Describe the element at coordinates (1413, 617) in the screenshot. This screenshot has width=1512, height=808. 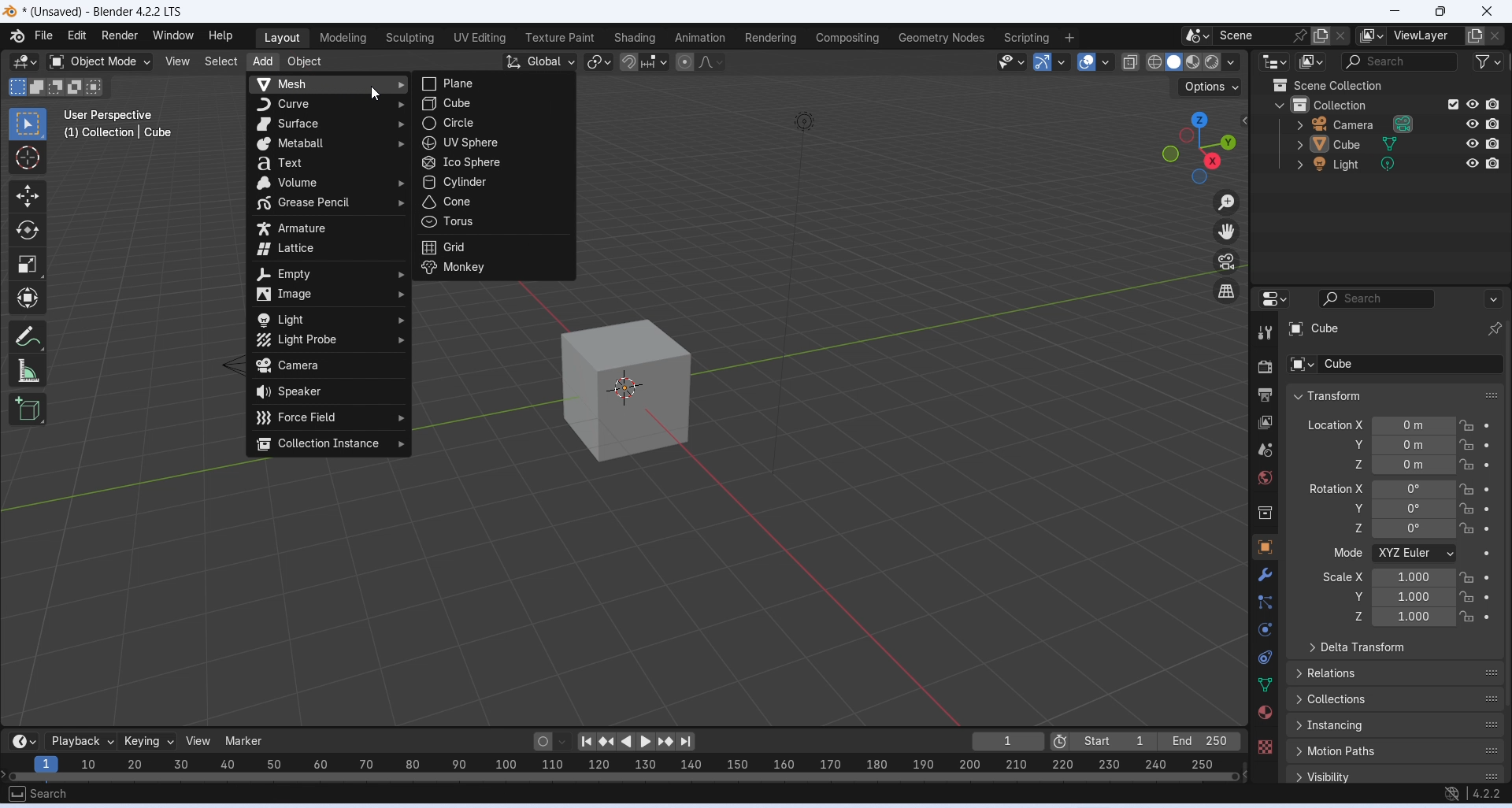
I see `scale` at that location.